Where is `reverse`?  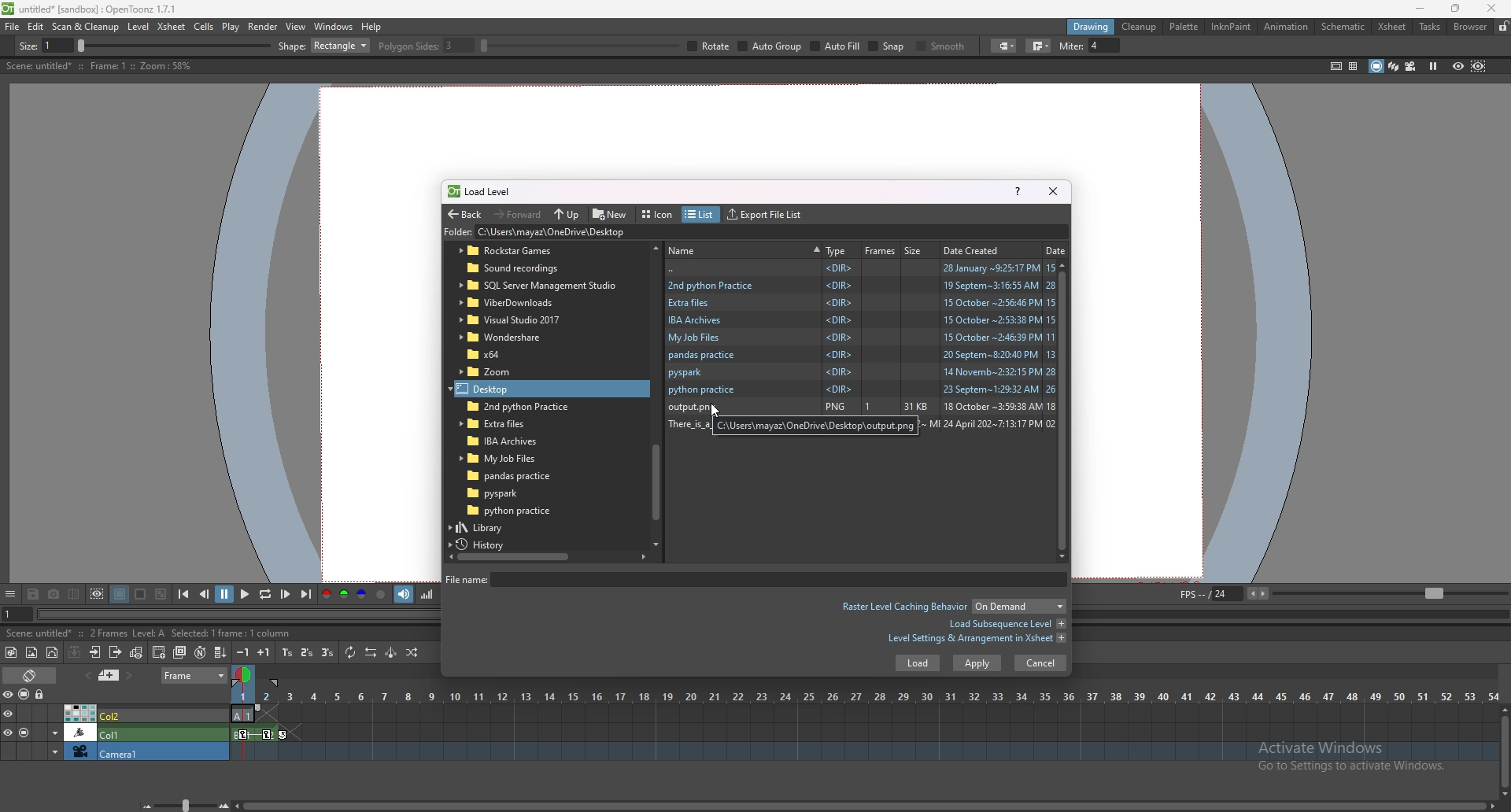
reverse is located at coordinates (371, 652).